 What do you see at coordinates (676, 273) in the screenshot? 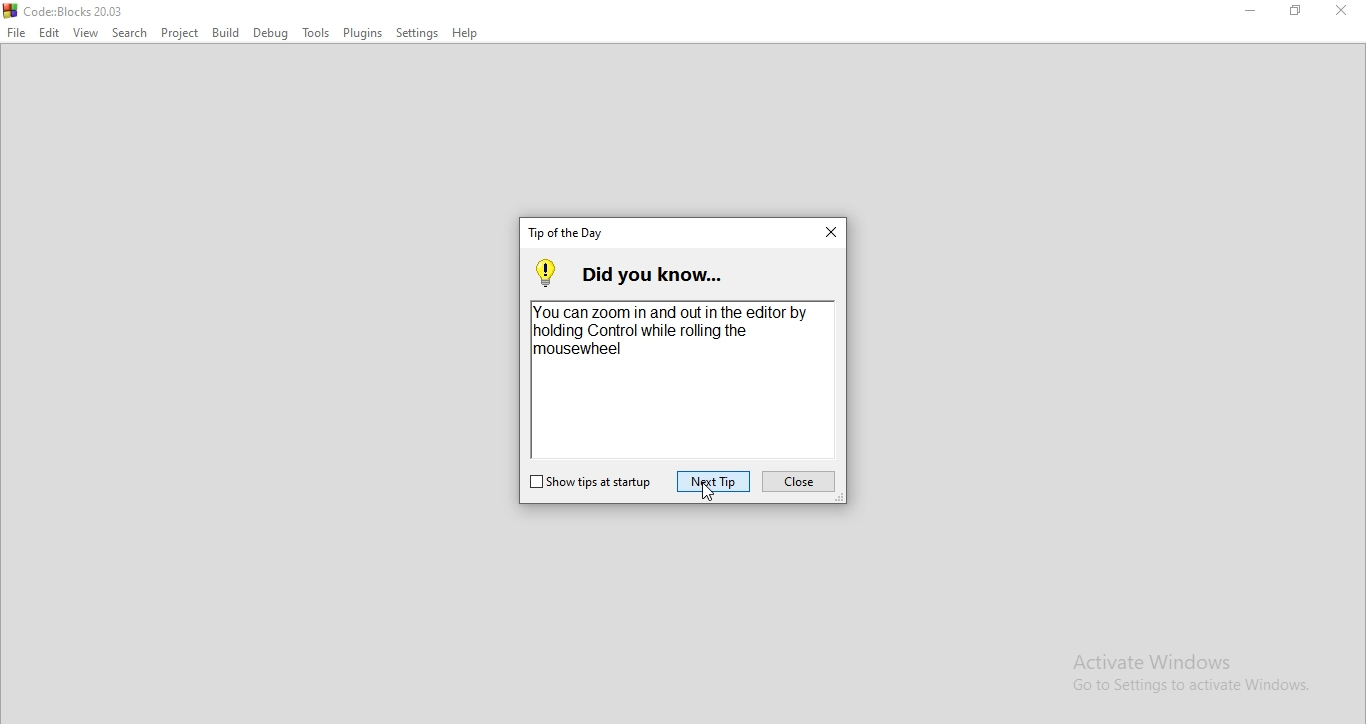
I see `did you know` at bounding box center [676, 273].